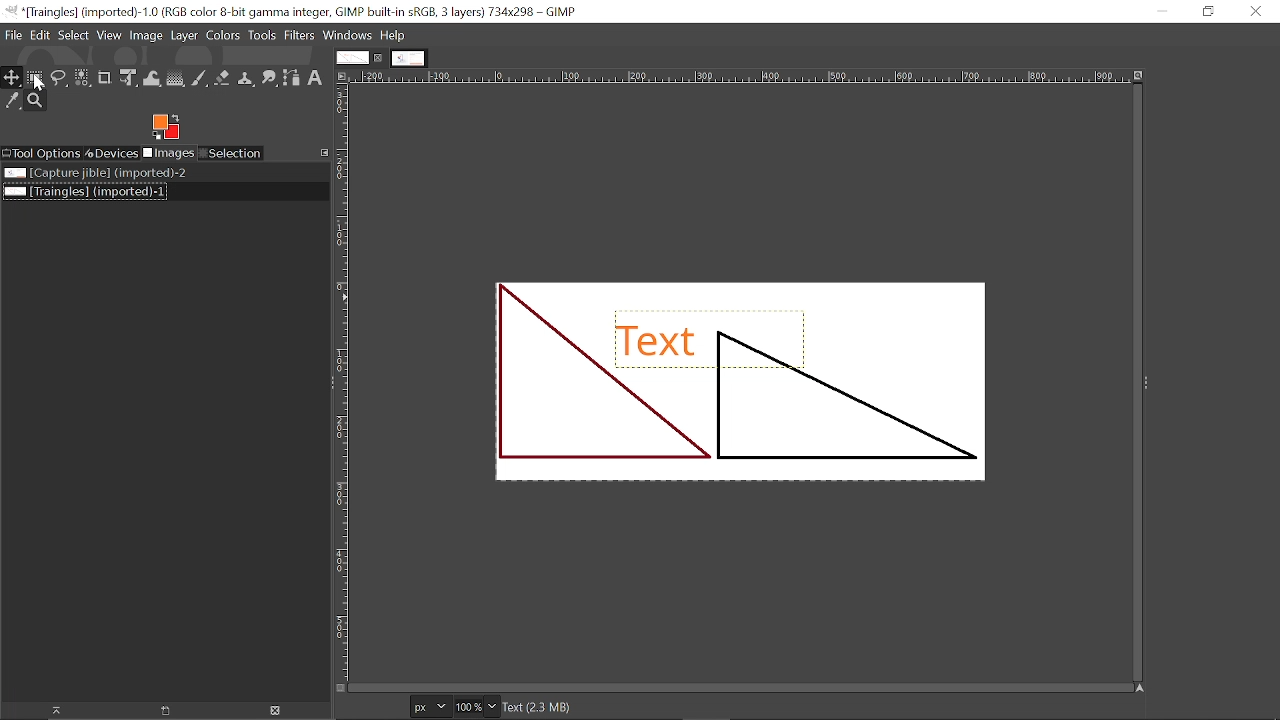 The image size is (1280, 720). I want to click on Minimize, so click(1157, 11).